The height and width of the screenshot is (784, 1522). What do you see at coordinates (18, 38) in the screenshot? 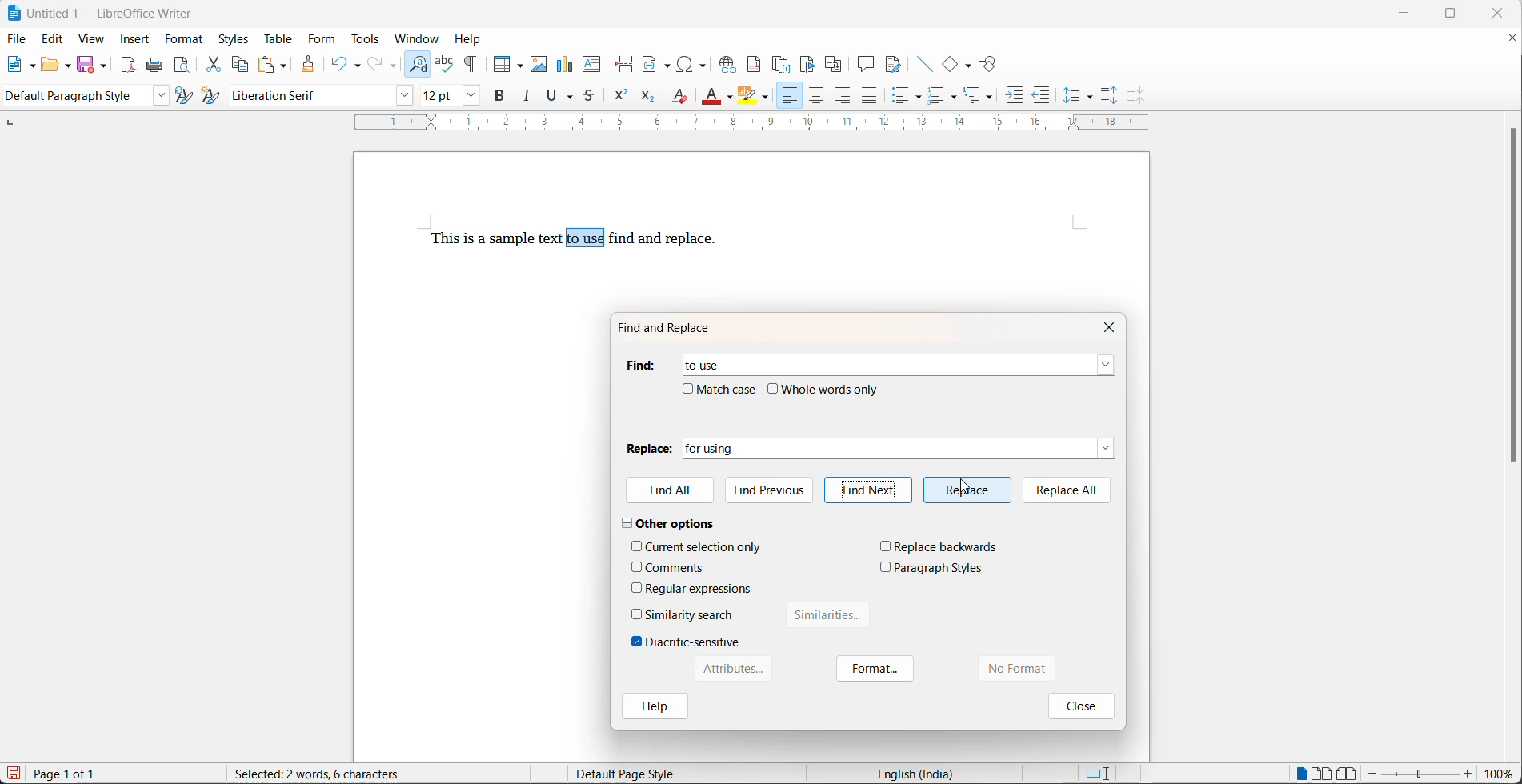
I see `file` at bounding box center [18, 38].